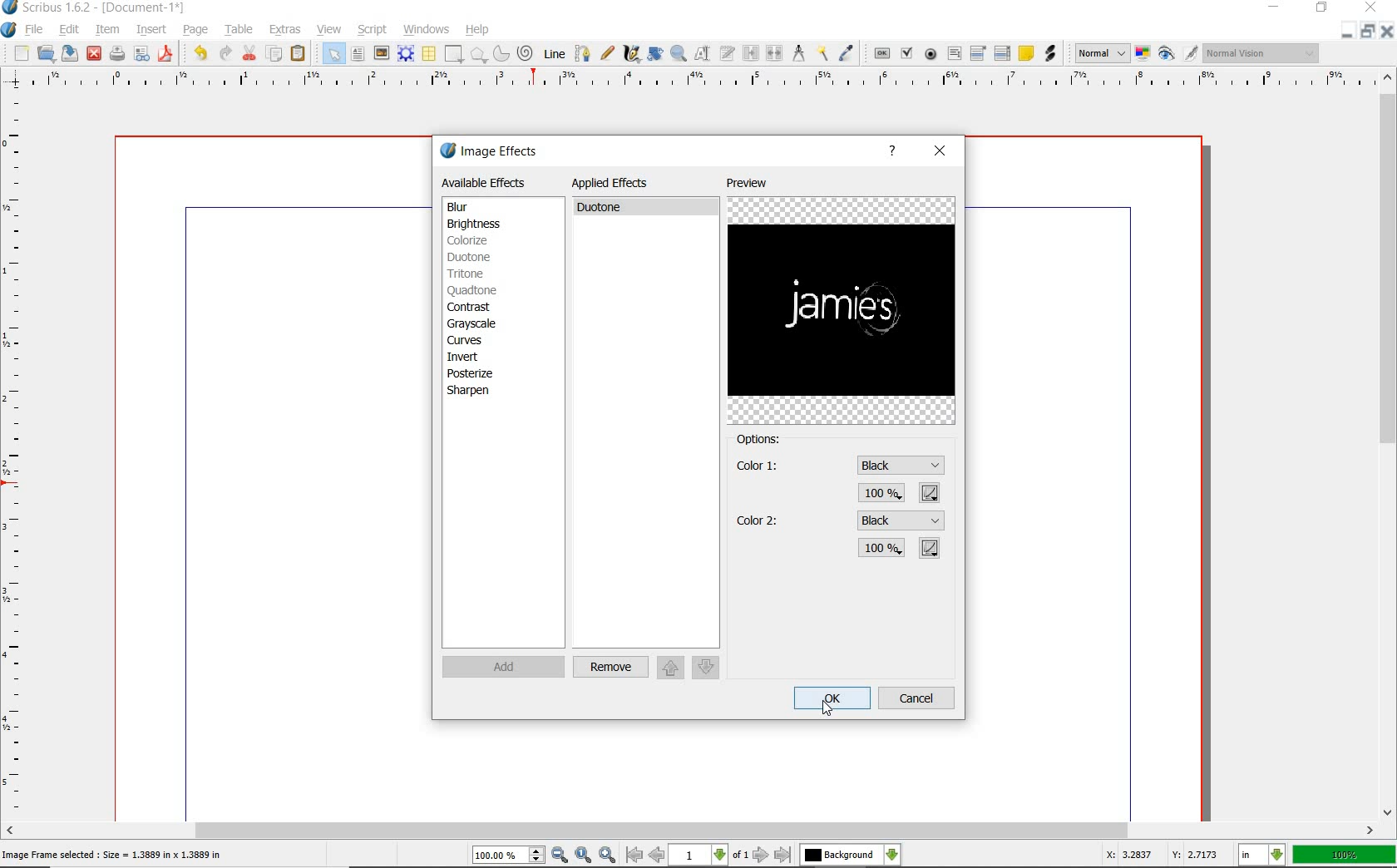  I want to click on pdf combo box, so click(975, 53).